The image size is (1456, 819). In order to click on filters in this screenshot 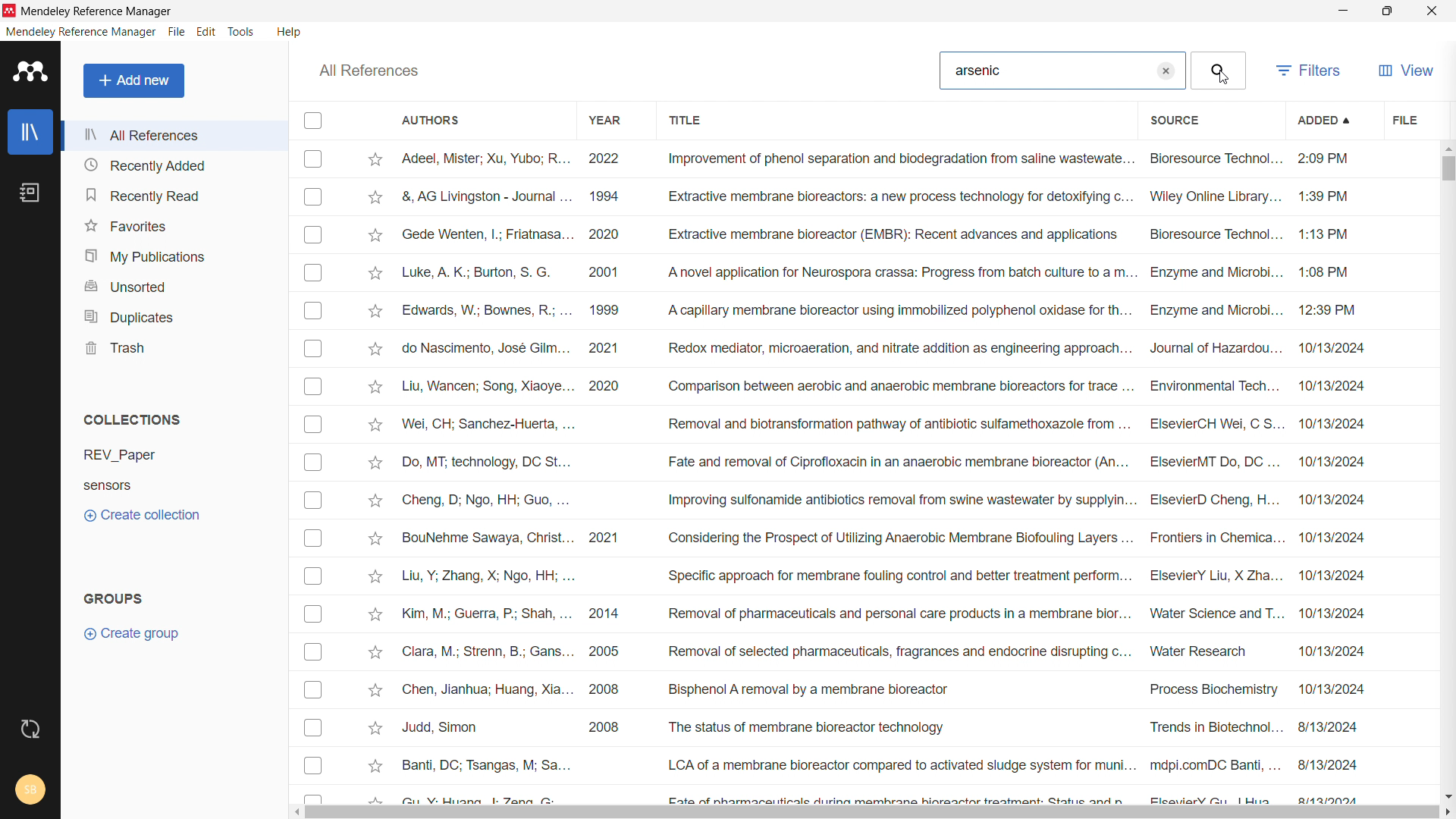, I will do `click(1313, 68)`.